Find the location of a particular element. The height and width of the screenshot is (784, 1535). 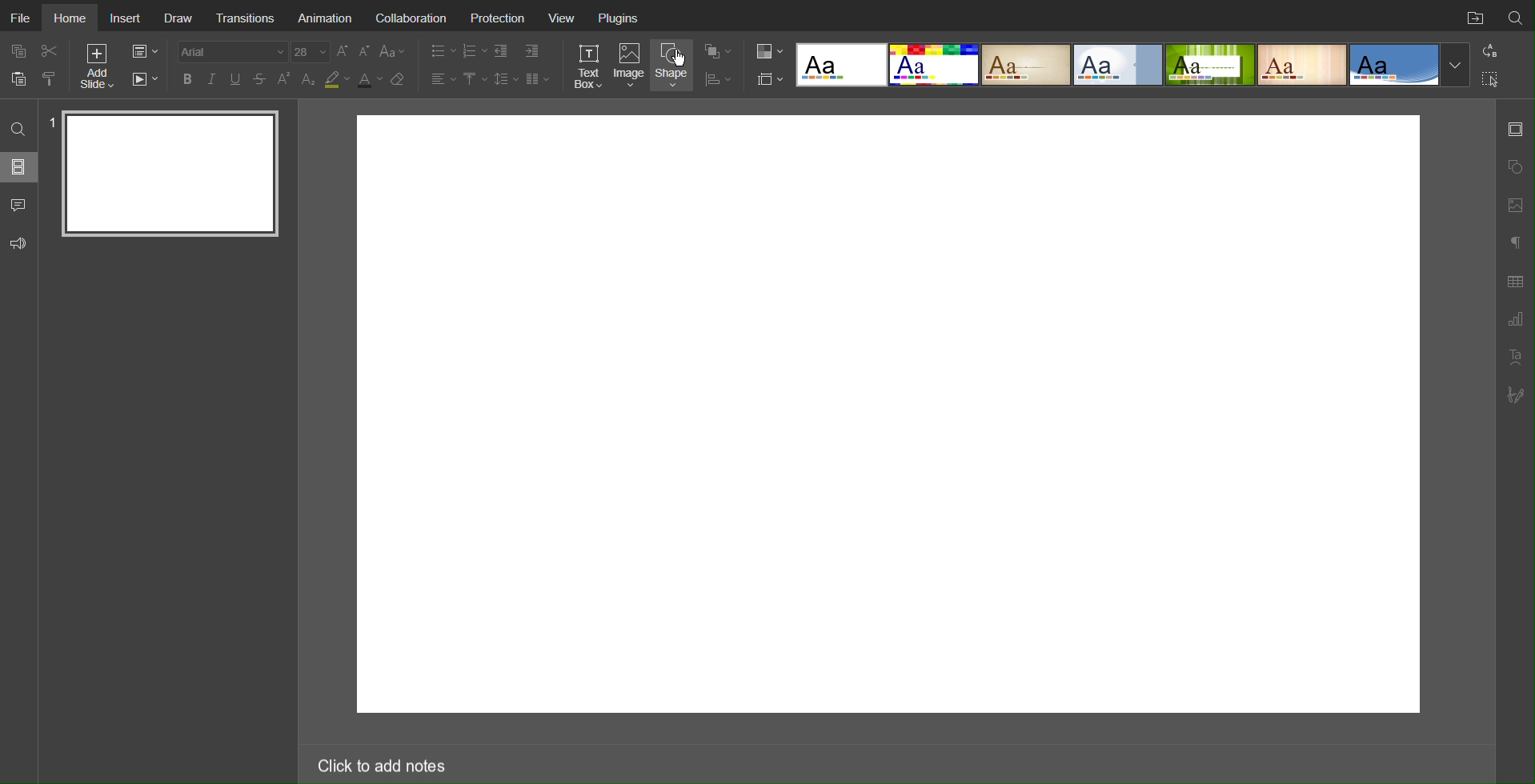

Home is located at coordinates (71, 16).